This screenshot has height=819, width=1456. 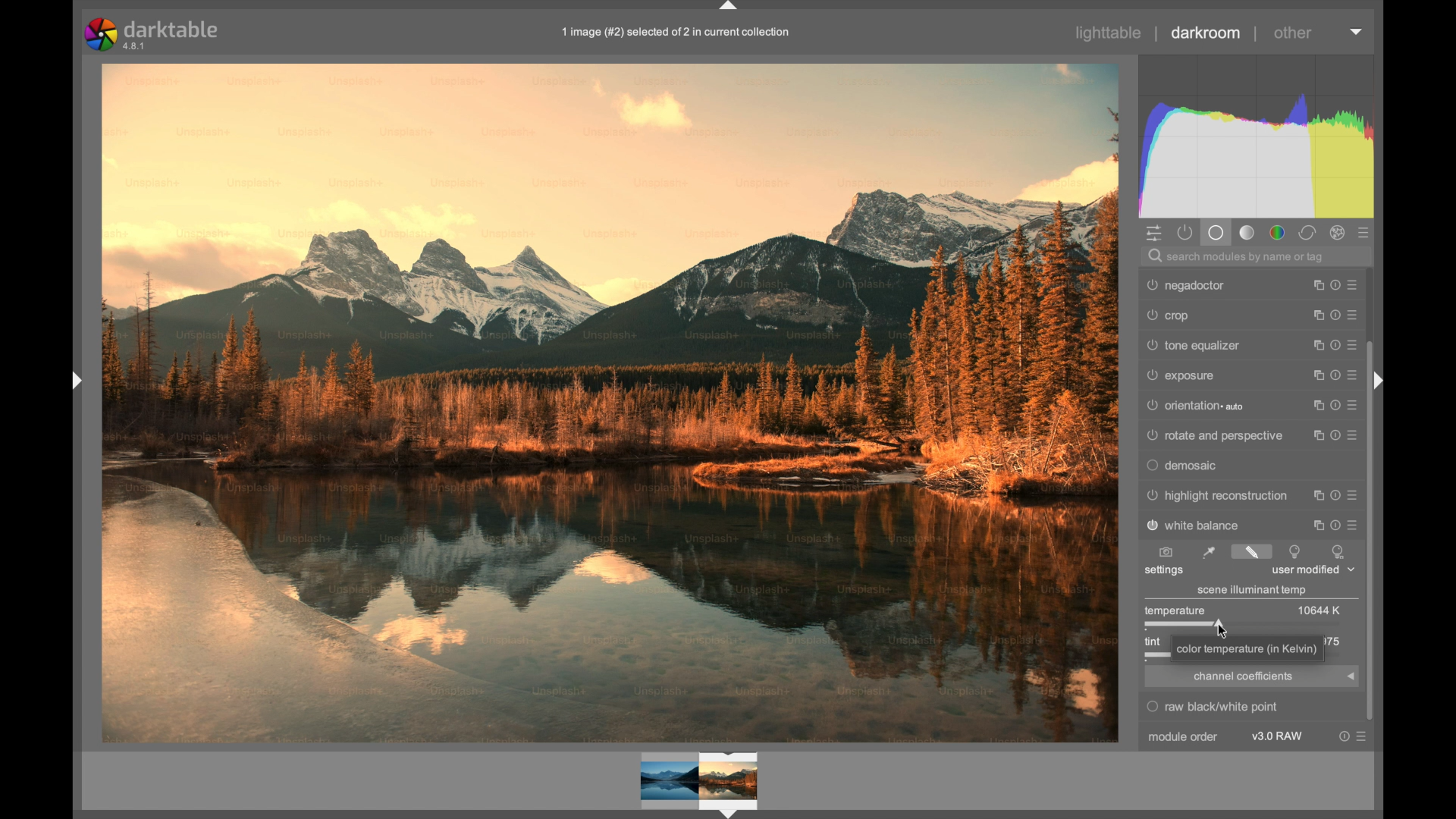 I want to click on instance, so click(x=1316, y=372).